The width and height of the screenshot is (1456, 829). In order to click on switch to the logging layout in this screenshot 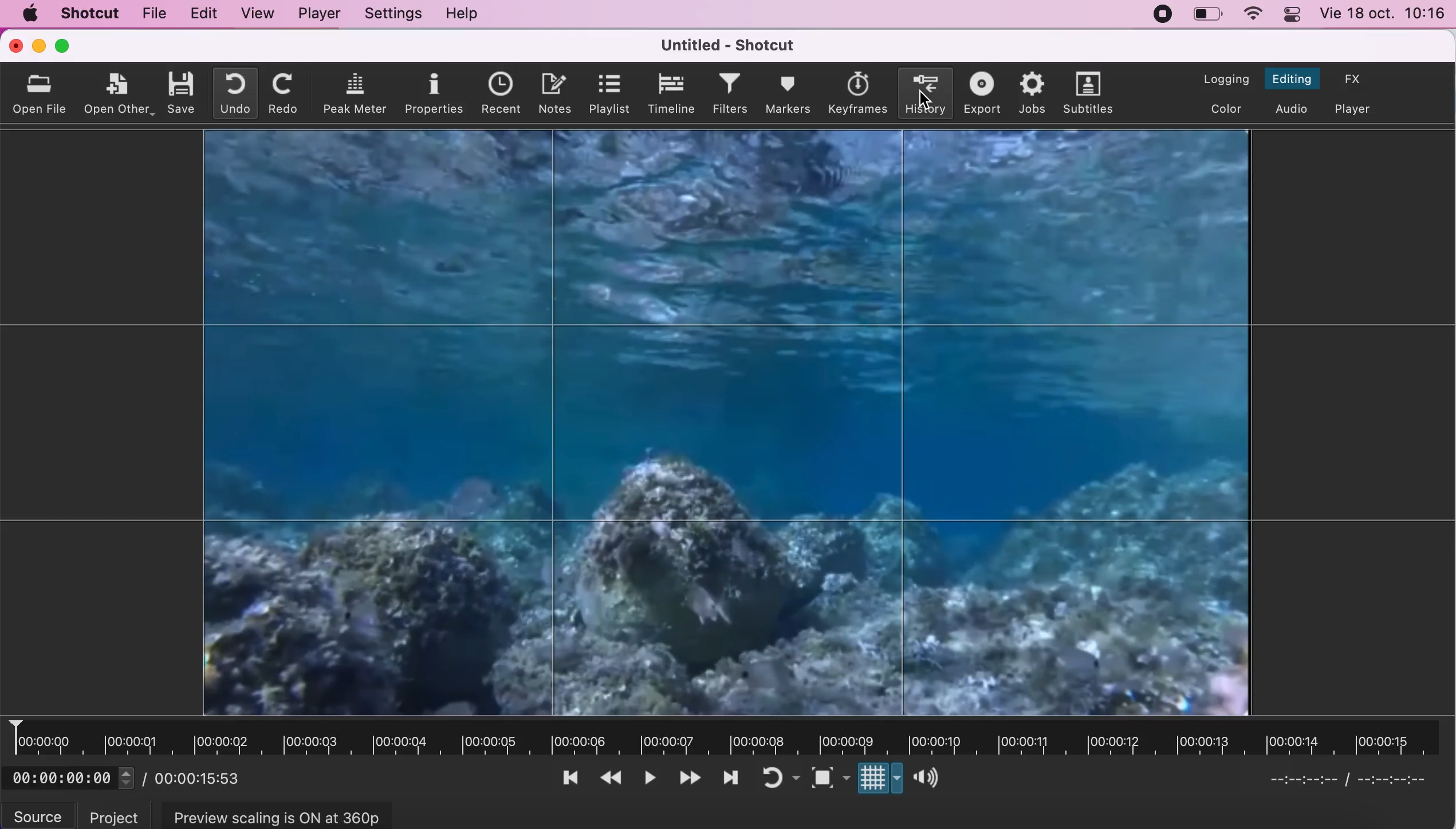, I will do `click(1224, 75)`.